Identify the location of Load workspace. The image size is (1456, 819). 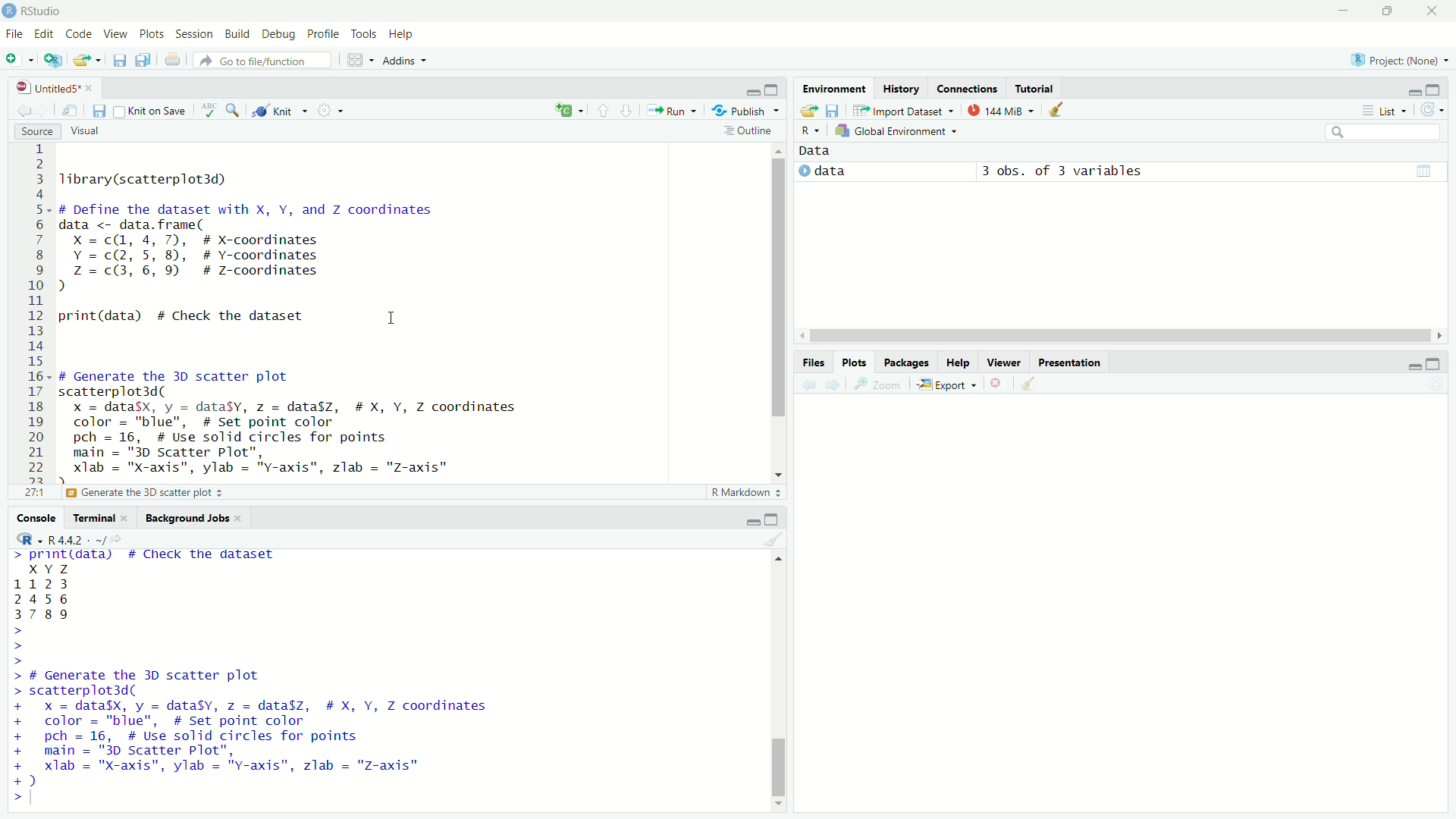
(811, 111).